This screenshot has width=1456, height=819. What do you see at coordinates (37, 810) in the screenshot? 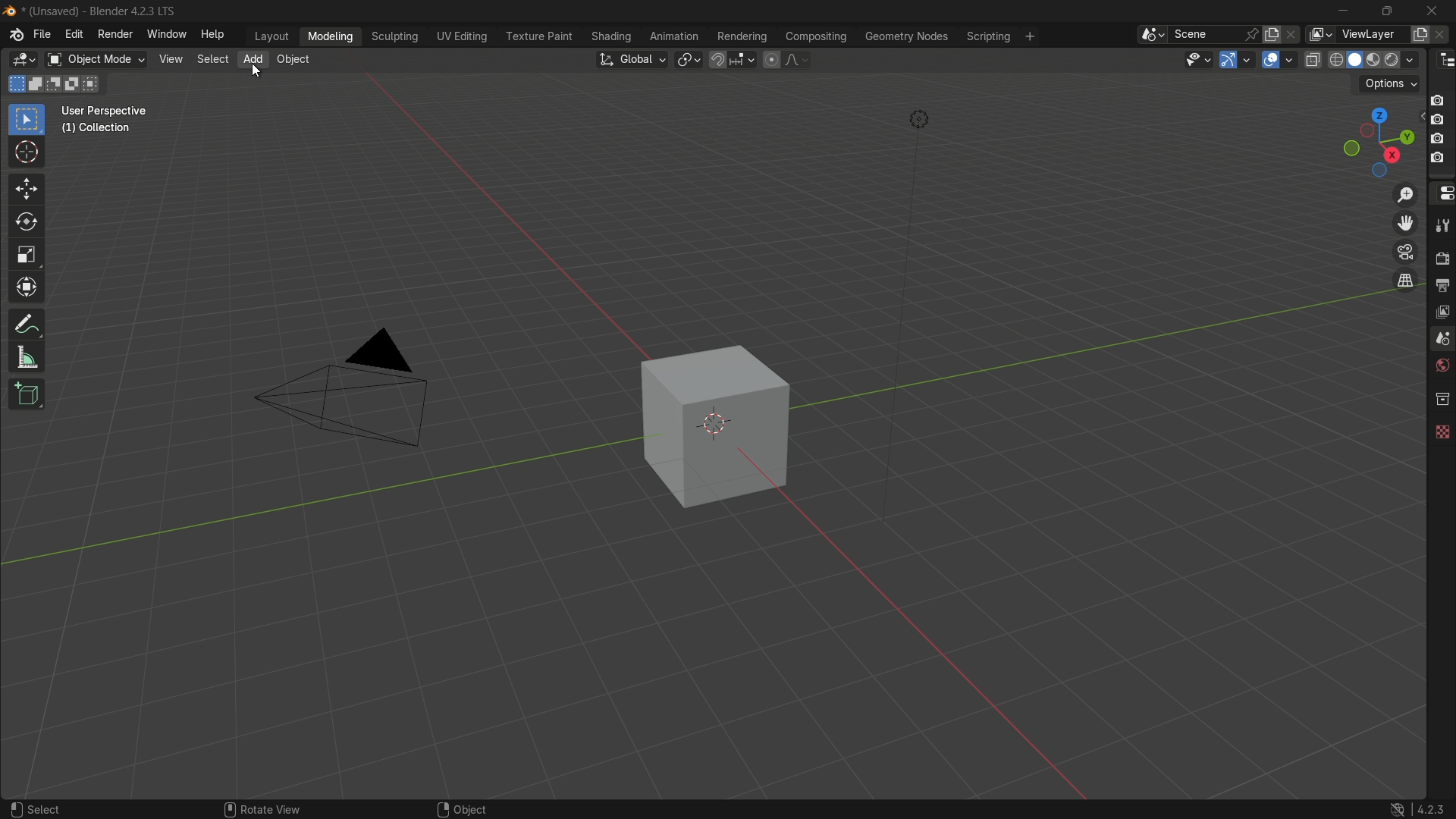
I see `select` at bounding box center [37, 810].